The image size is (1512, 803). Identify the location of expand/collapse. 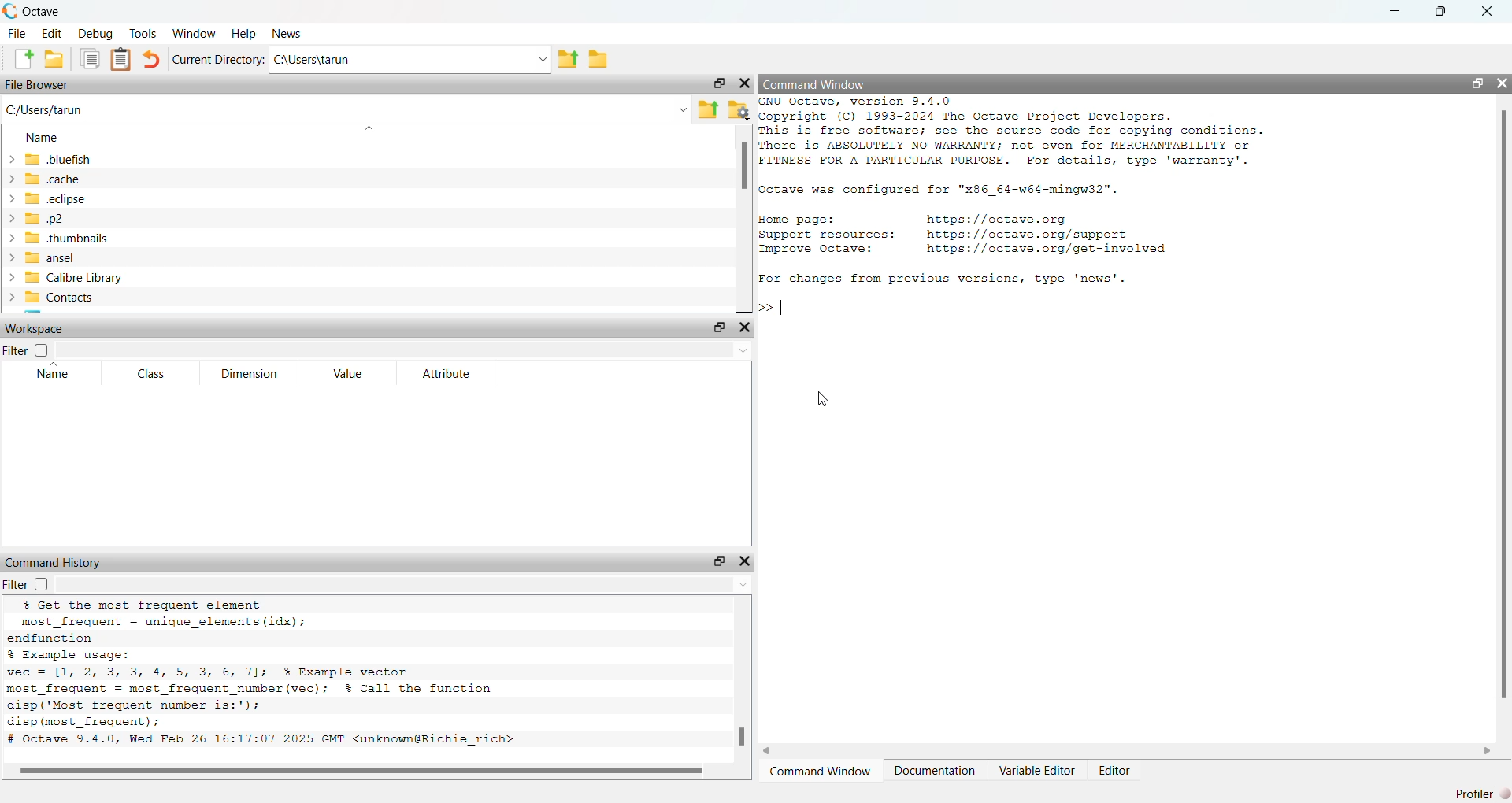
(10, 178).